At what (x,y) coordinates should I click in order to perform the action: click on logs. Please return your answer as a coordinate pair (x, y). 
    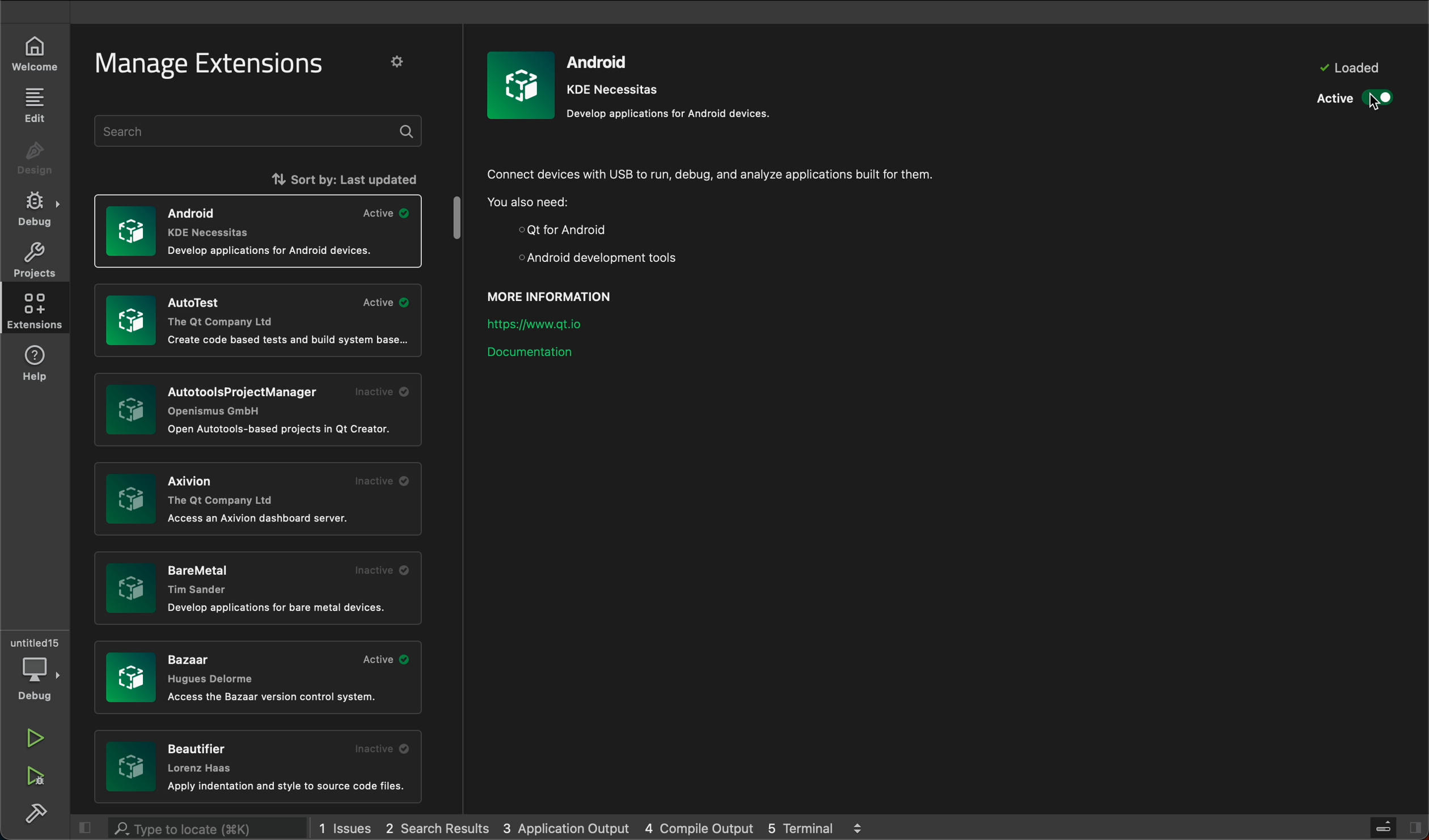
    Looking at the image, I should click on (567, 830).